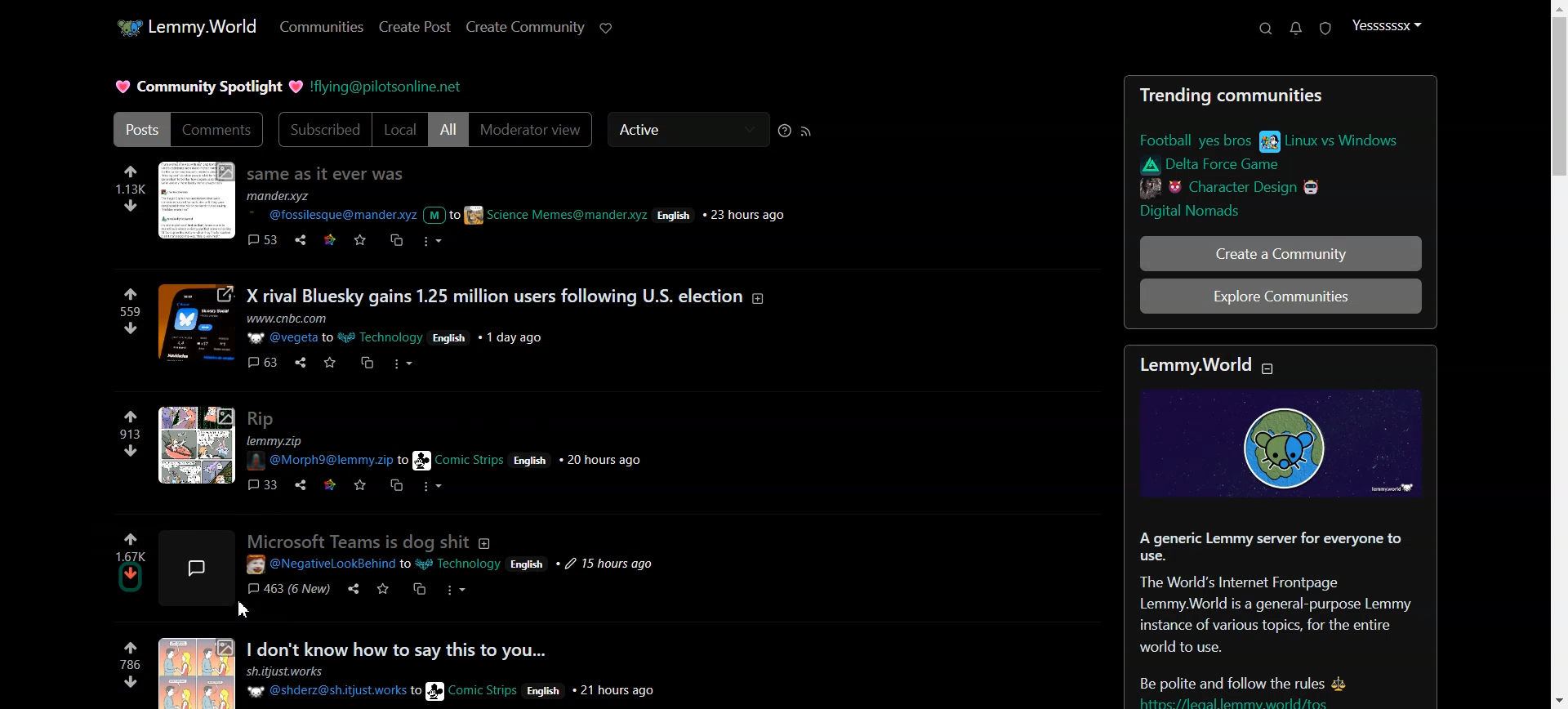 The height and width of the screenshot is (709, 1568). I want to click on save, so click(360, 240).